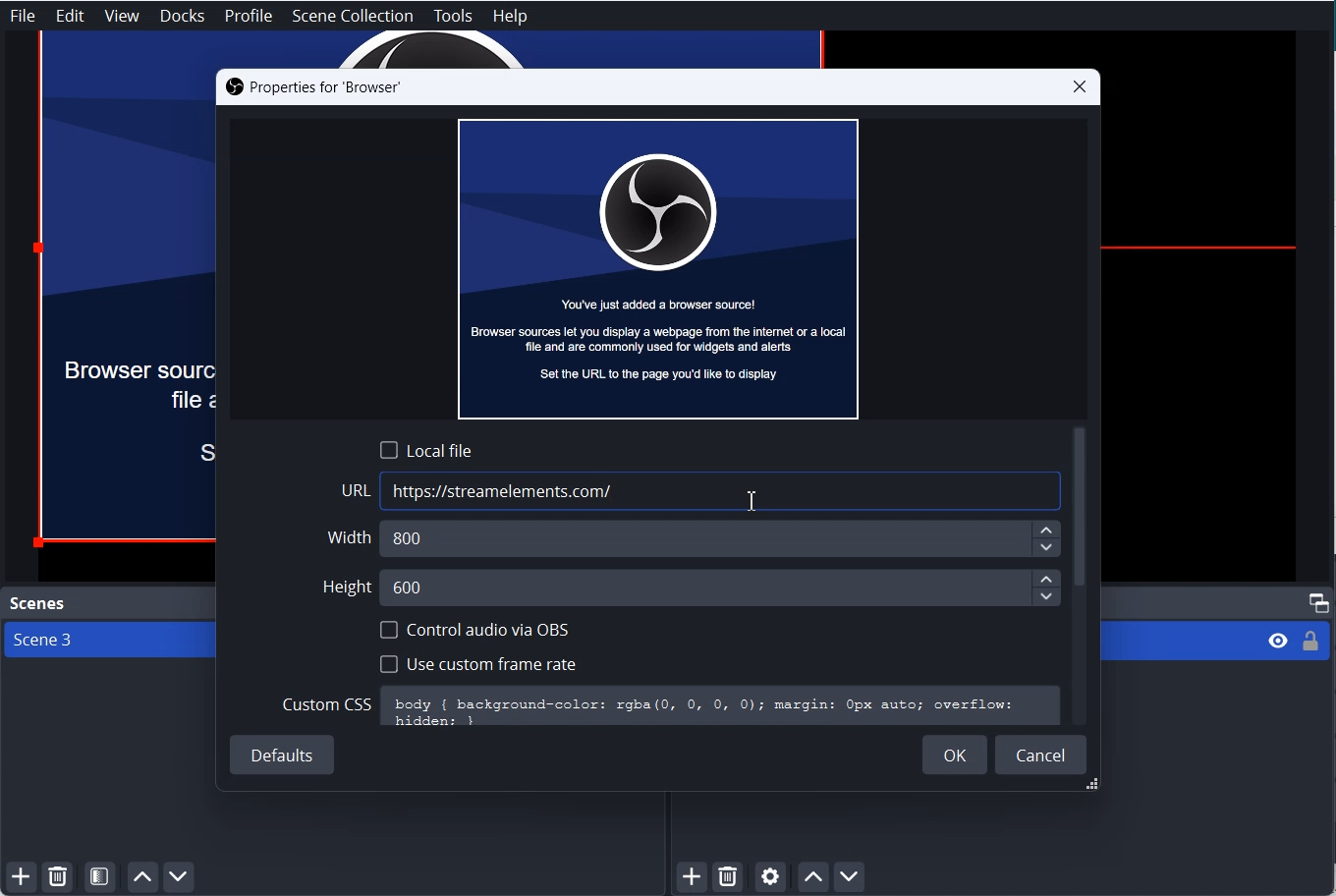 This screenshot has width=1336, height=896. Describe the element at coordinates (769, 878) in the screenshot. I see `Open Source Settings` at that location.